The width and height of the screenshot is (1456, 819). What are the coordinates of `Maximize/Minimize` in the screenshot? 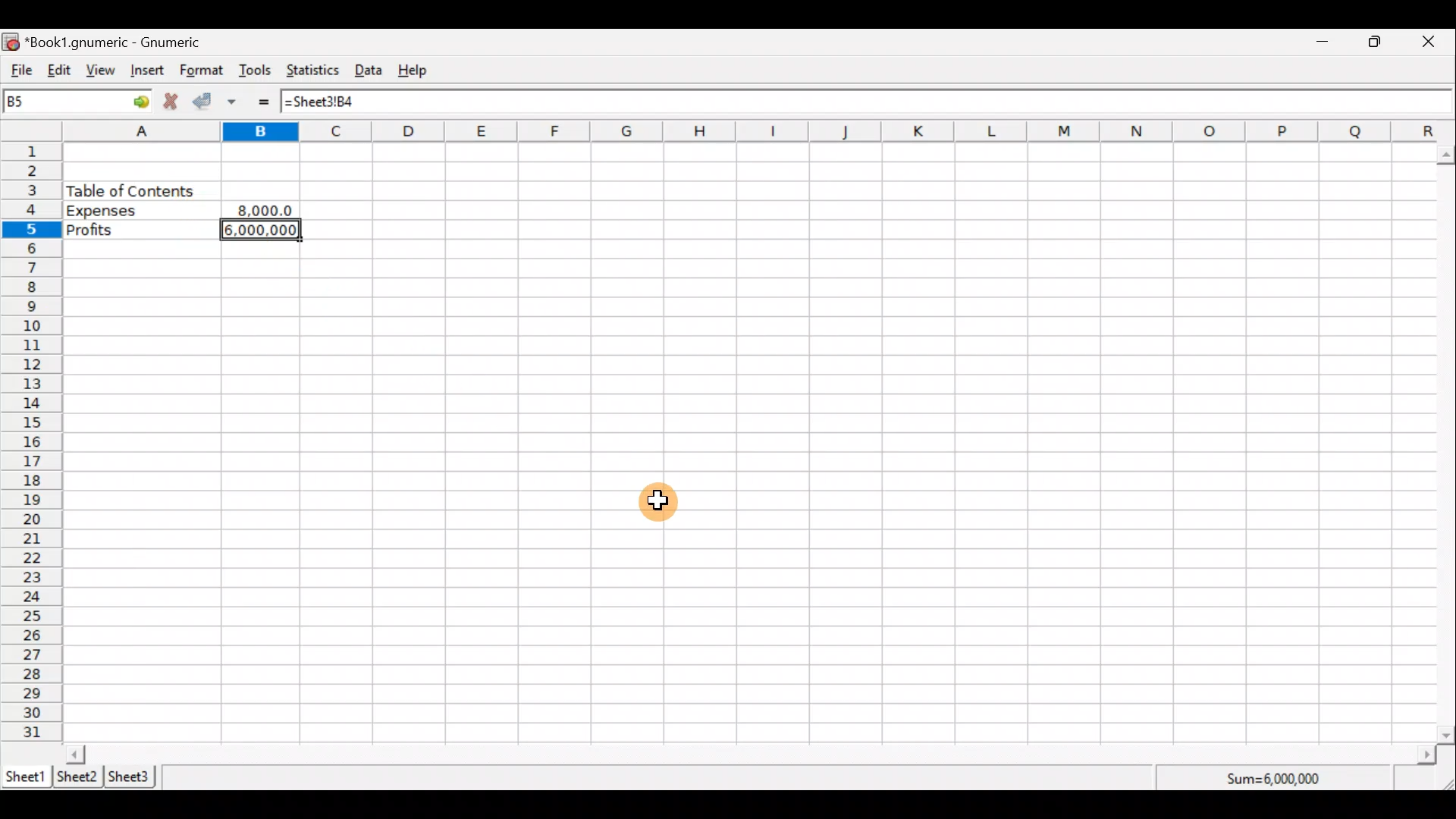 It's located at (1379, 42).